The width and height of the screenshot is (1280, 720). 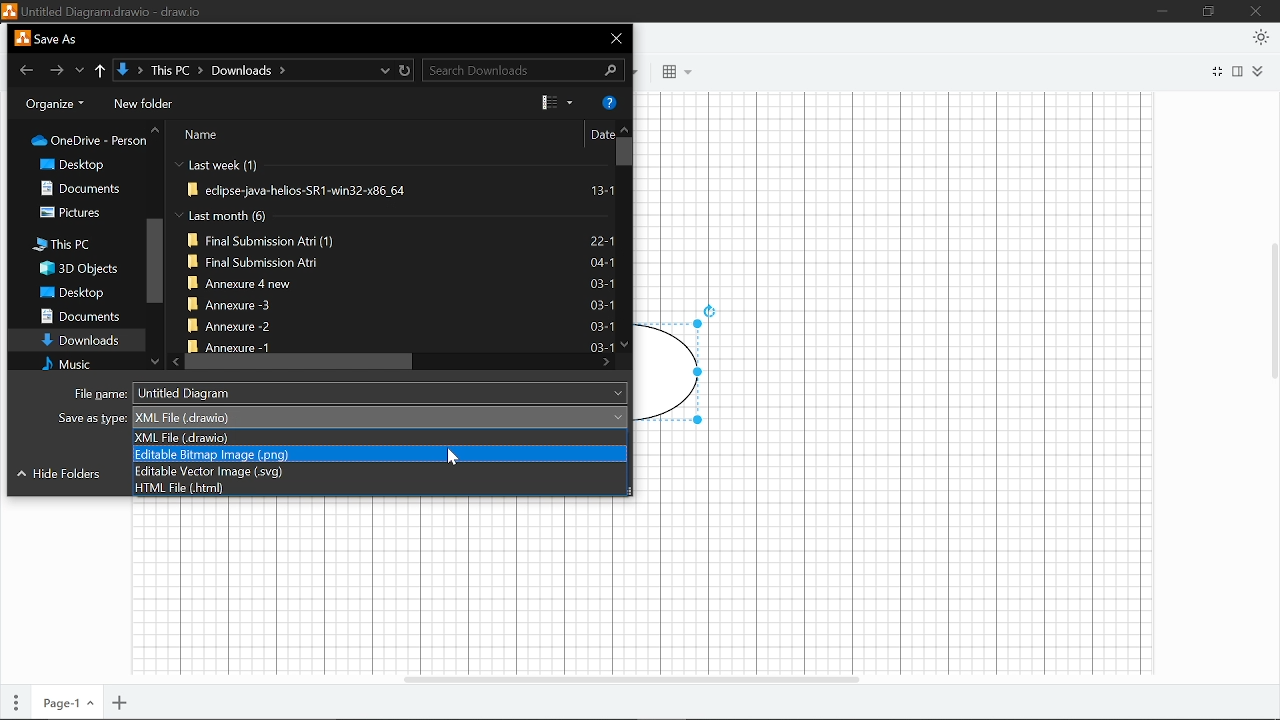 I want to click on File name, so click(x=349, y=392).